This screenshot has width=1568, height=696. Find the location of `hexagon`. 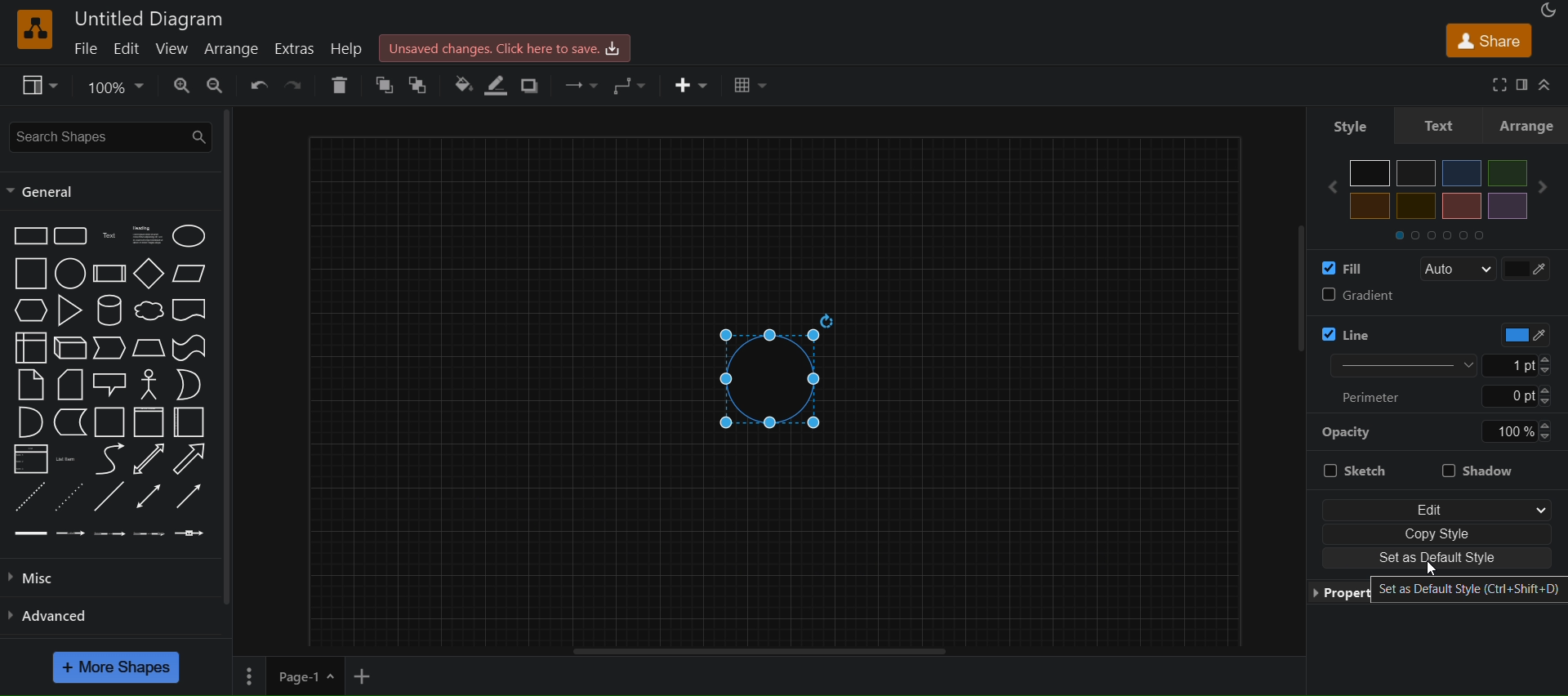

hexagon is located at coordinates (33, 310).